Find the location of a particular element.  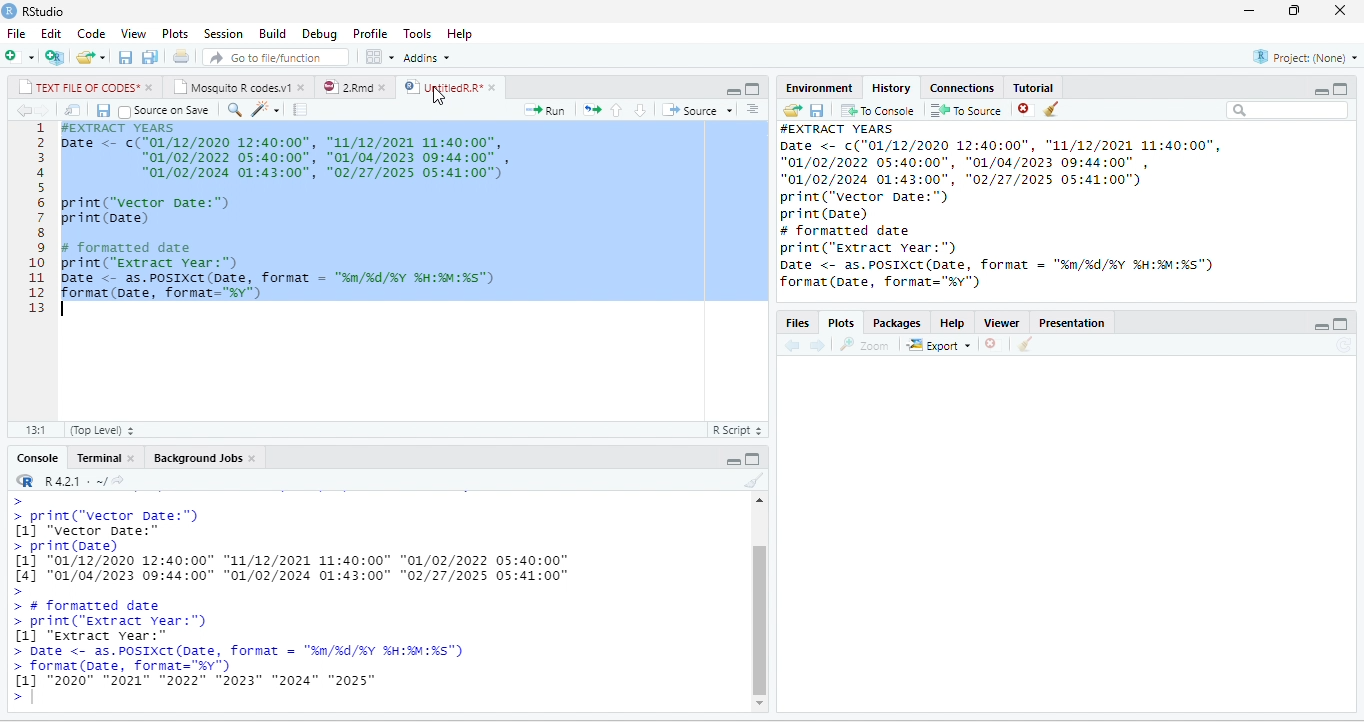

search file is located at coordinates (276, 57).